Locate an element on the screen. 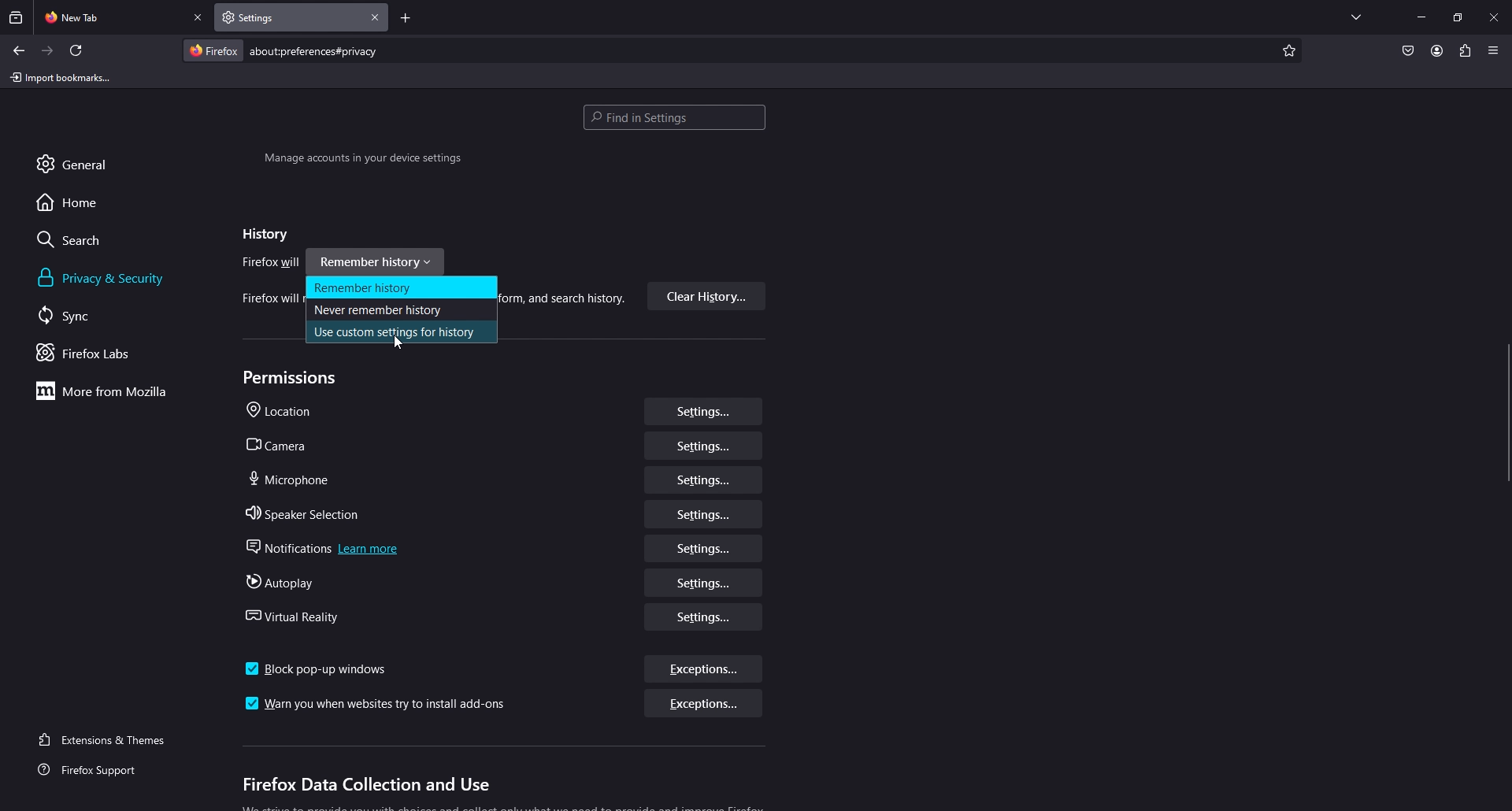 The height and width of the screenshot is (811, 1512). close tab is located at coordinates (199, 18).